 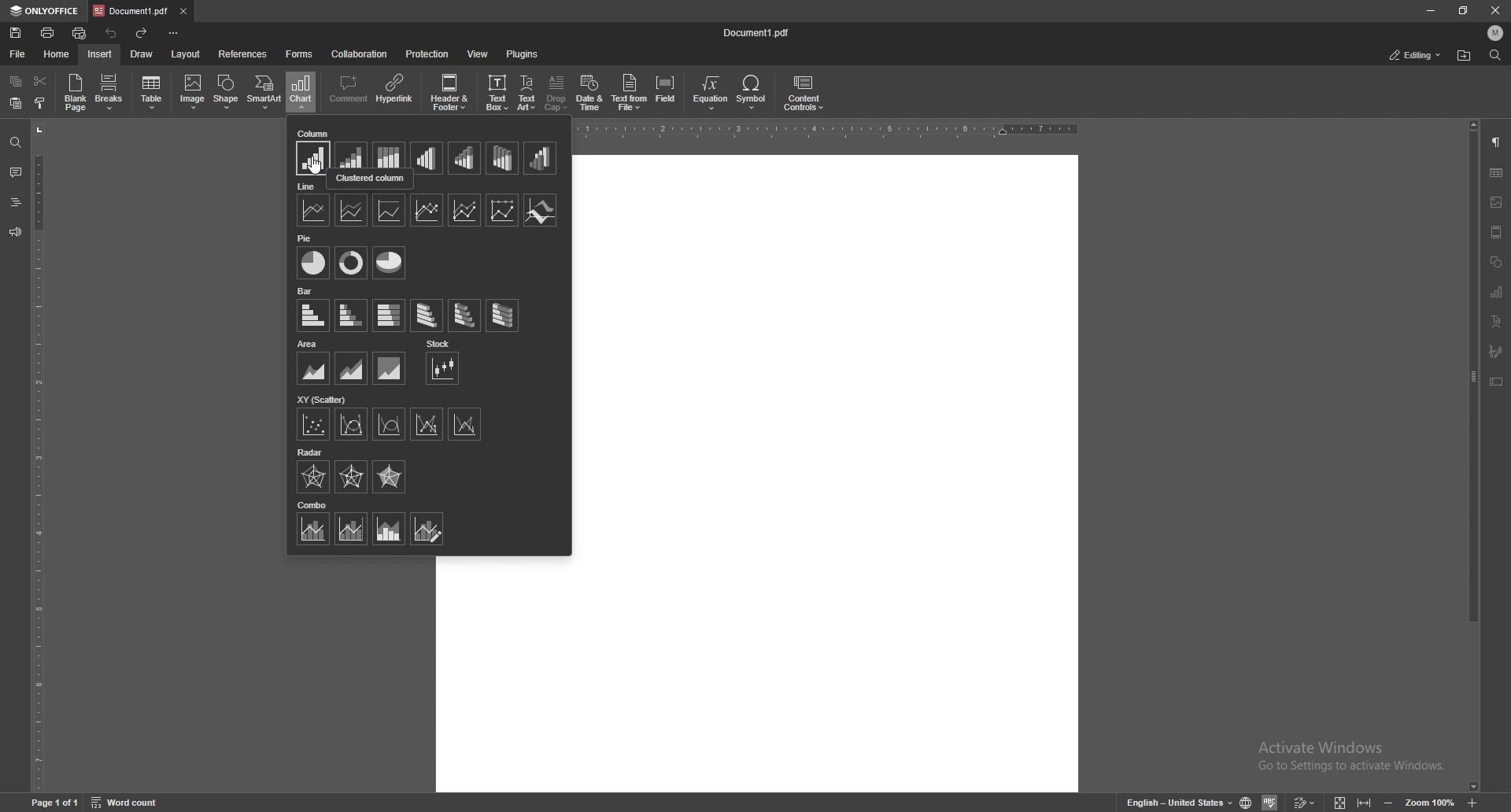 What do you see at coordinates (1465, 9) in the screenshot?
I see `resize` at bounding box center [1465, 9].